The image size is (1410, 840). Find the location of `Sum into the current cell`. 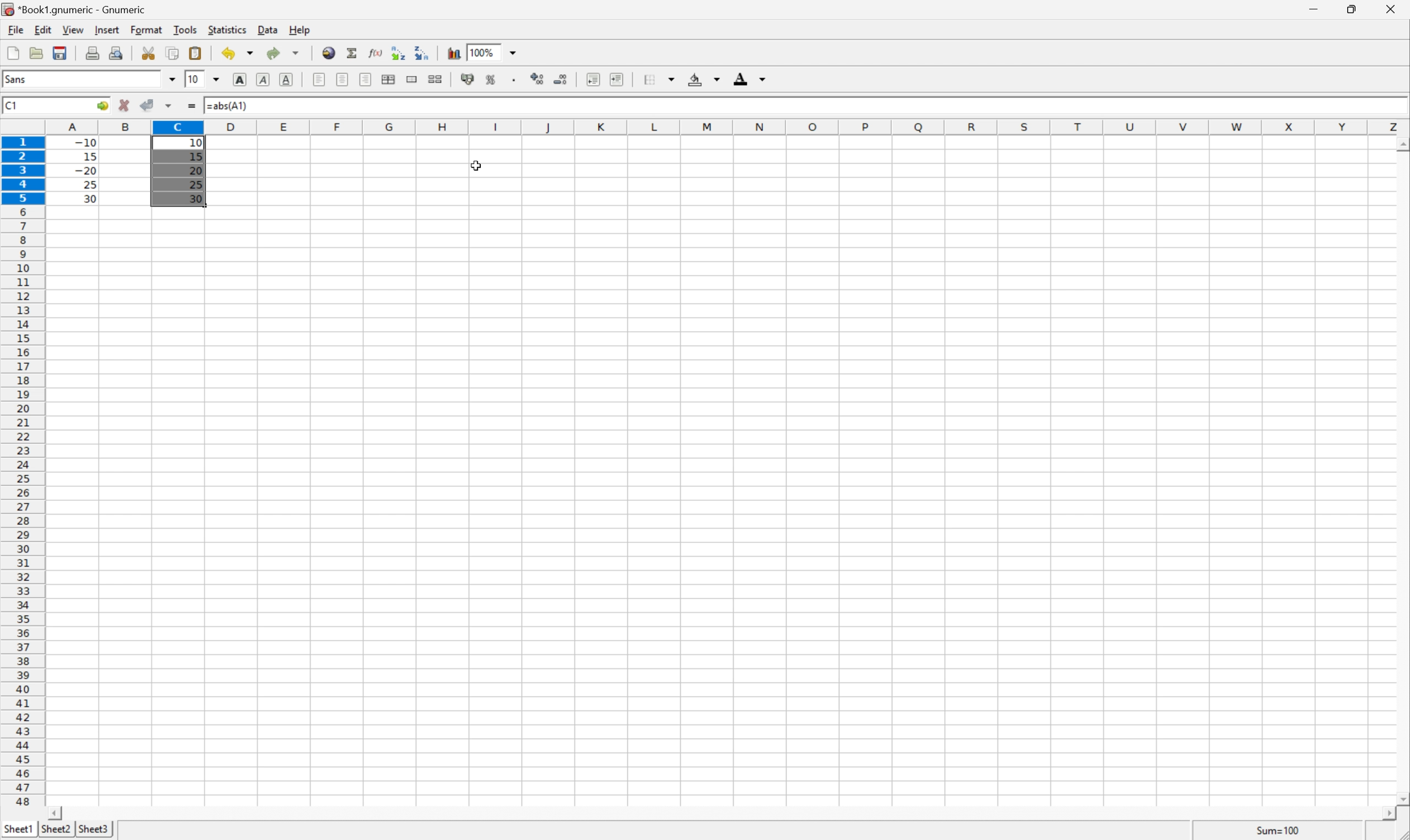

Sum into the current cell is located at coordinates (353, 53).